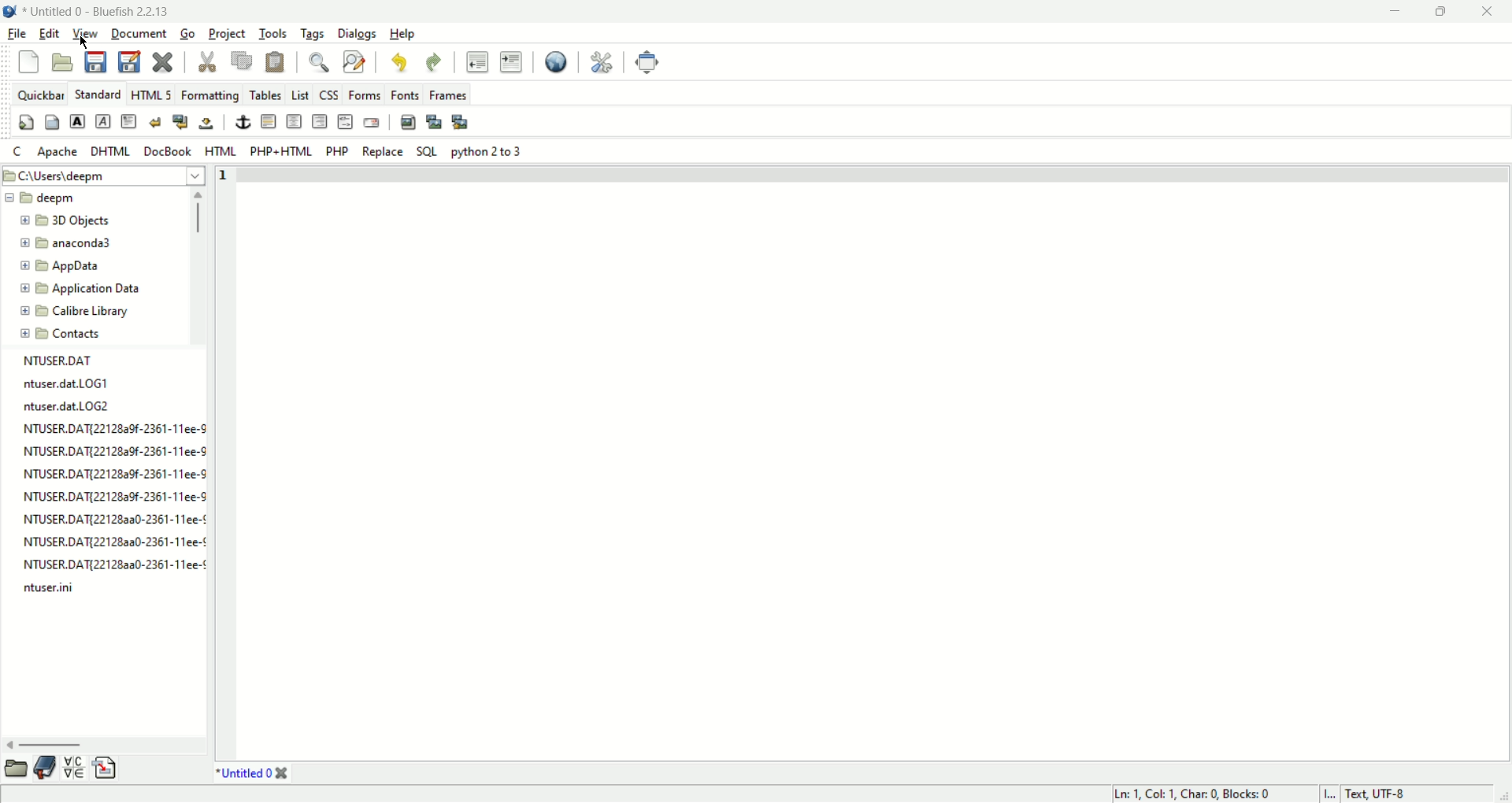  Describe the element at coordinates (58, 153) in the screenshot. I see `apache` at that location.